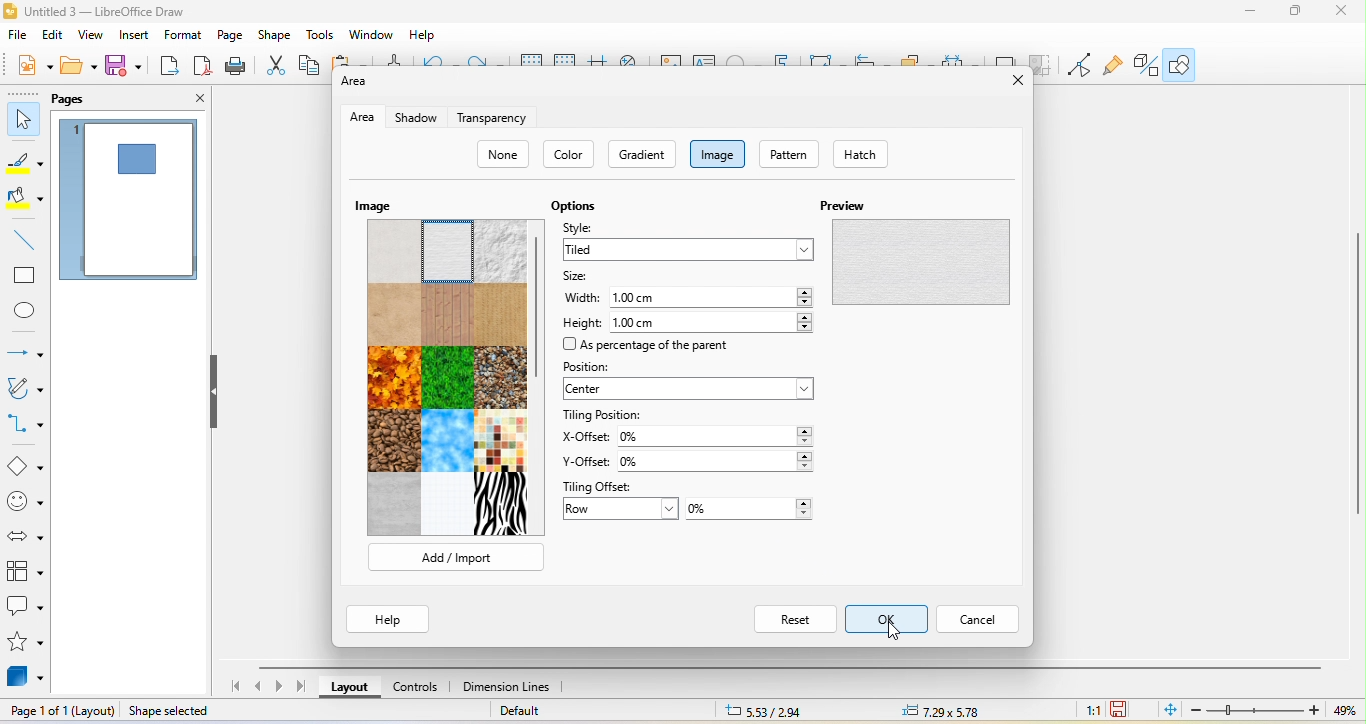 Image resolution: width=1366 pixels, height=724 pixels. I want to click on page 1 of 1, so click(60, 713).